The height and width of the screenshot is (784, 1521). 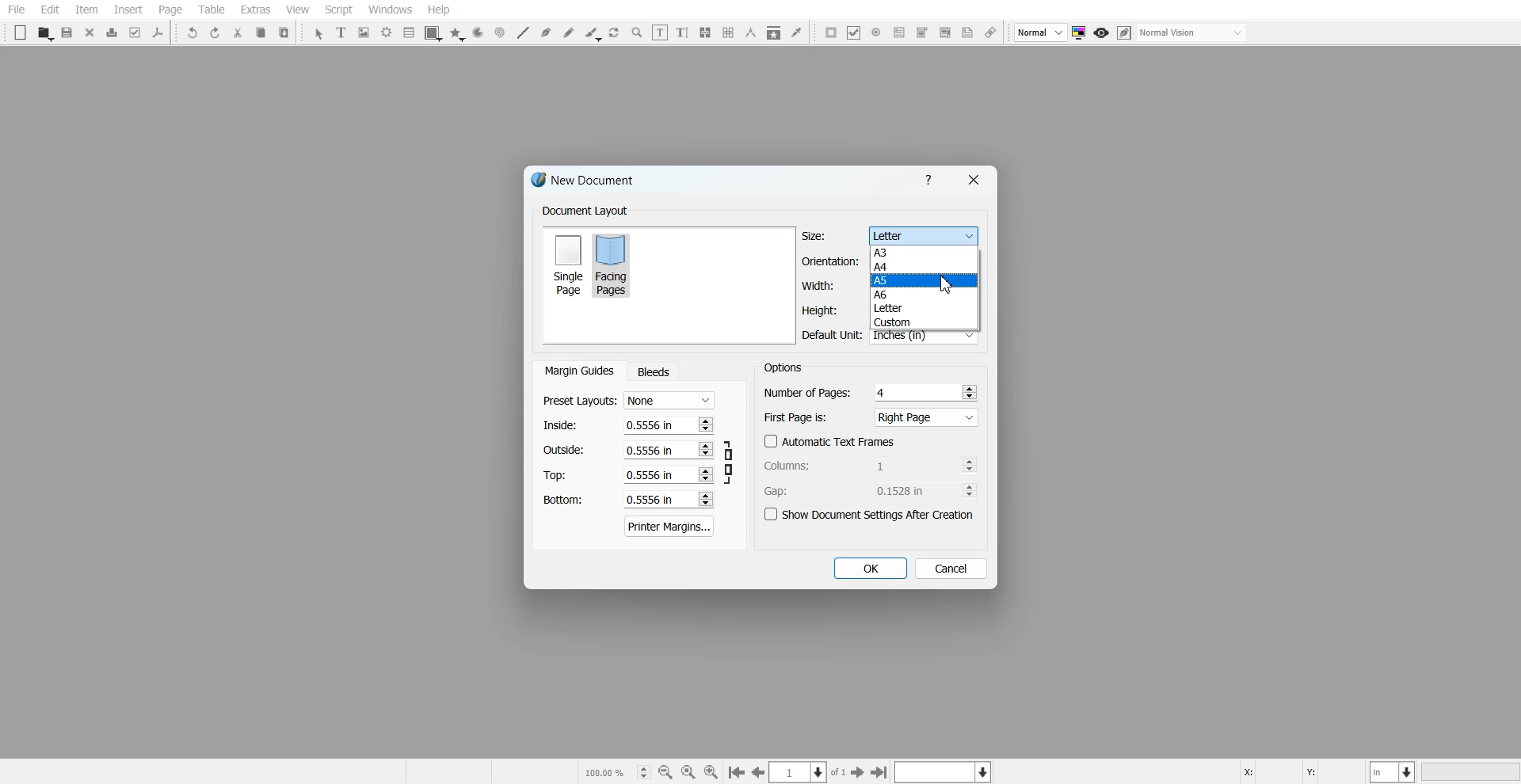 What do you see at coordinates (17, 10) in the screenshot?
I see `File` at bounding box center [17, 10].